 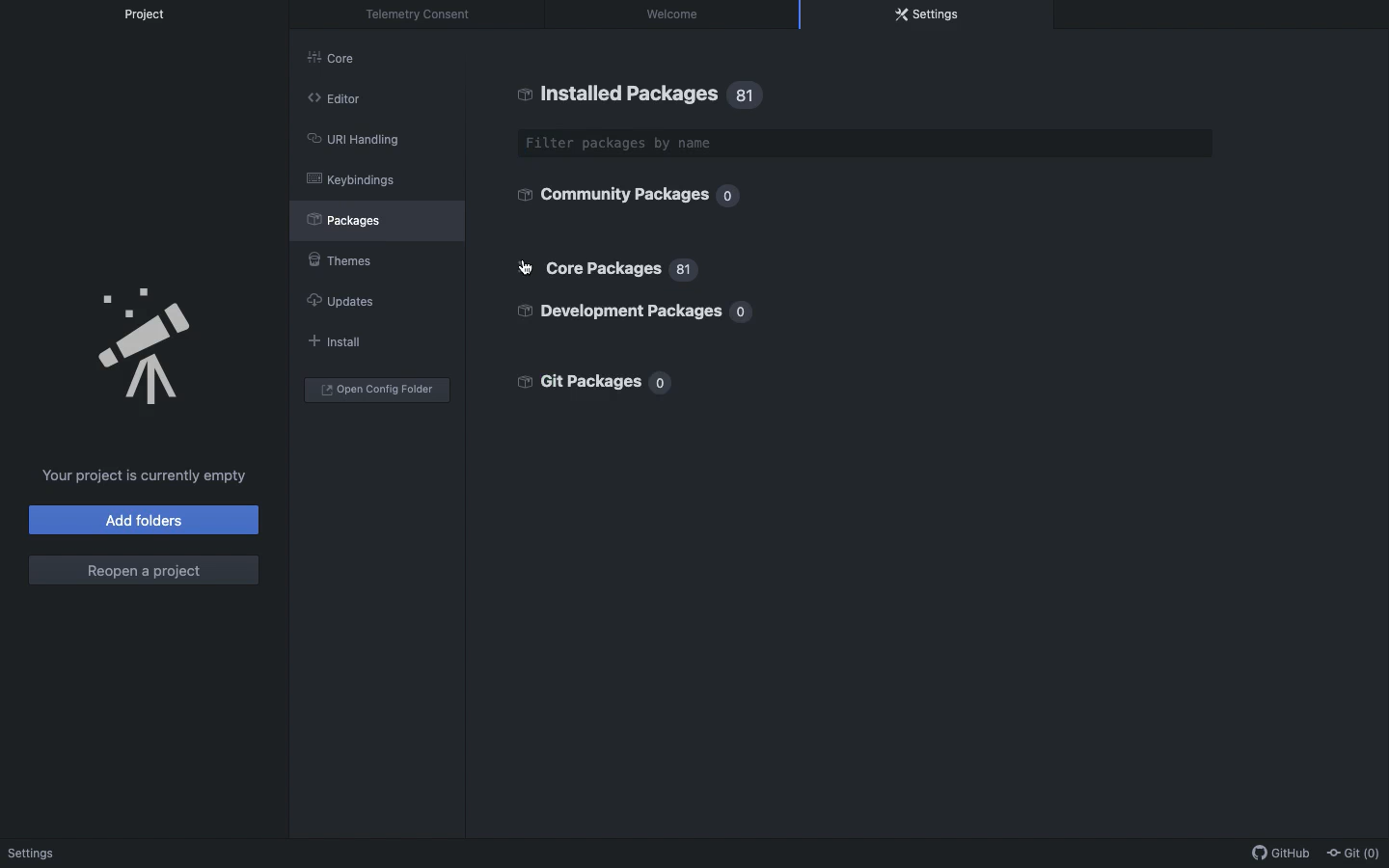 What do you see at coordinates (577, 379) in the screenshot?
I see `Git packages` at bounding box center [577, 379].